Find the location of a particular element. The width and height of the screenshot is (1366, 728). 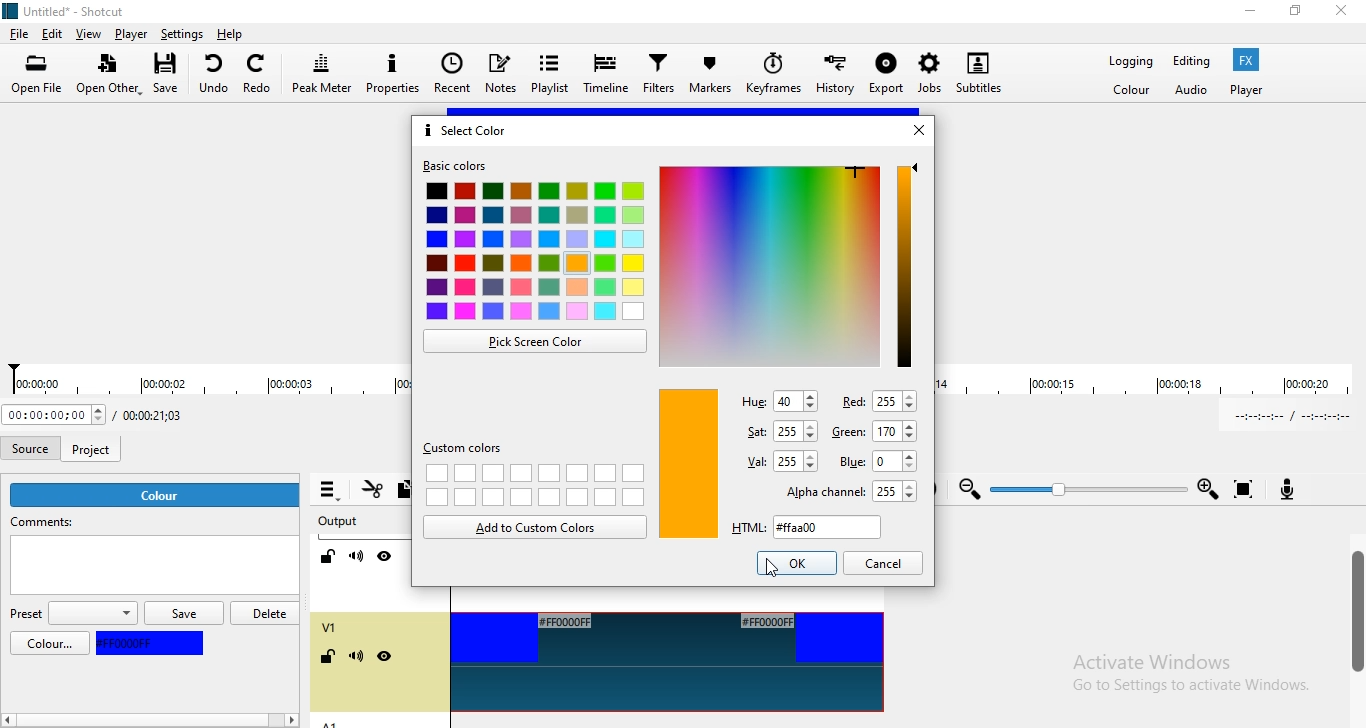

Color adjustment is located at coordinates (905, 265).